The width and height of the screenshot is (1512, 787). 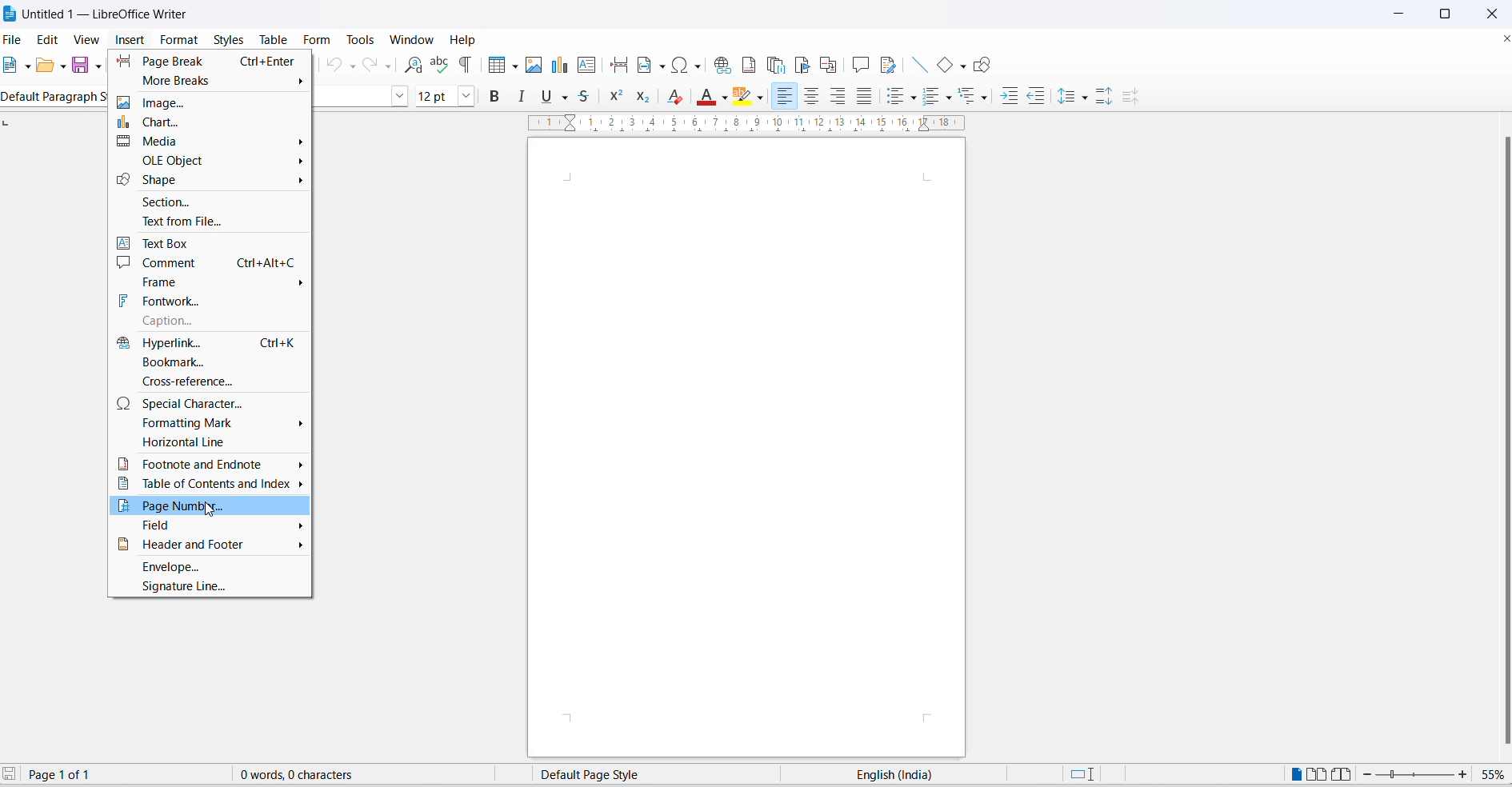 What do you see at coordinates (559, 66) in the screenshot?
I see `insert charts` at bounding box center [559, 66].